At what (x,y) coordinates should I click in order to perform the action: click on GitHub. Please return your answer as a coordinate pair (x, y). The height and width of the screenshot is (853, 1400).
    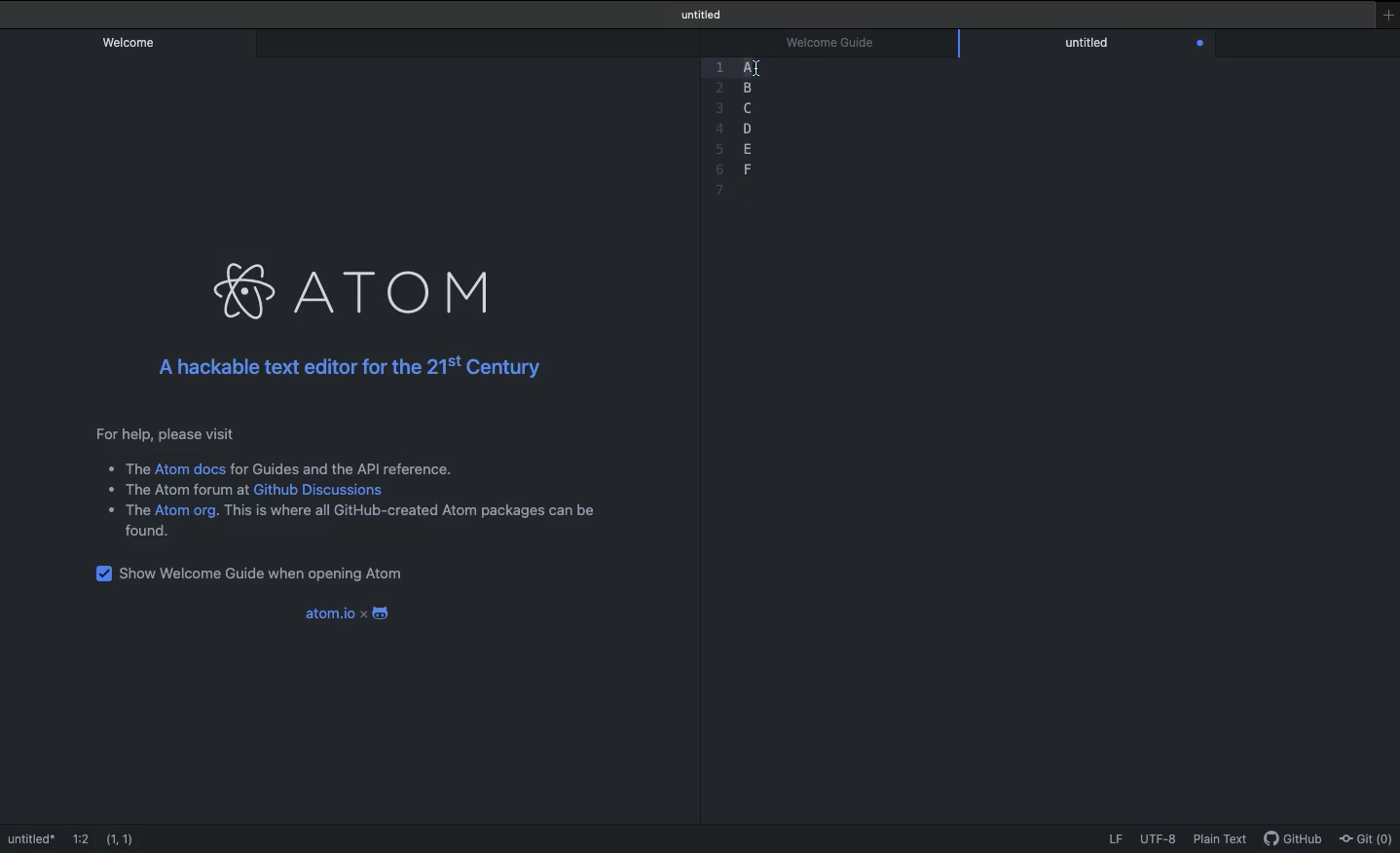
    Looking at the image, I should click on (1294, 842).